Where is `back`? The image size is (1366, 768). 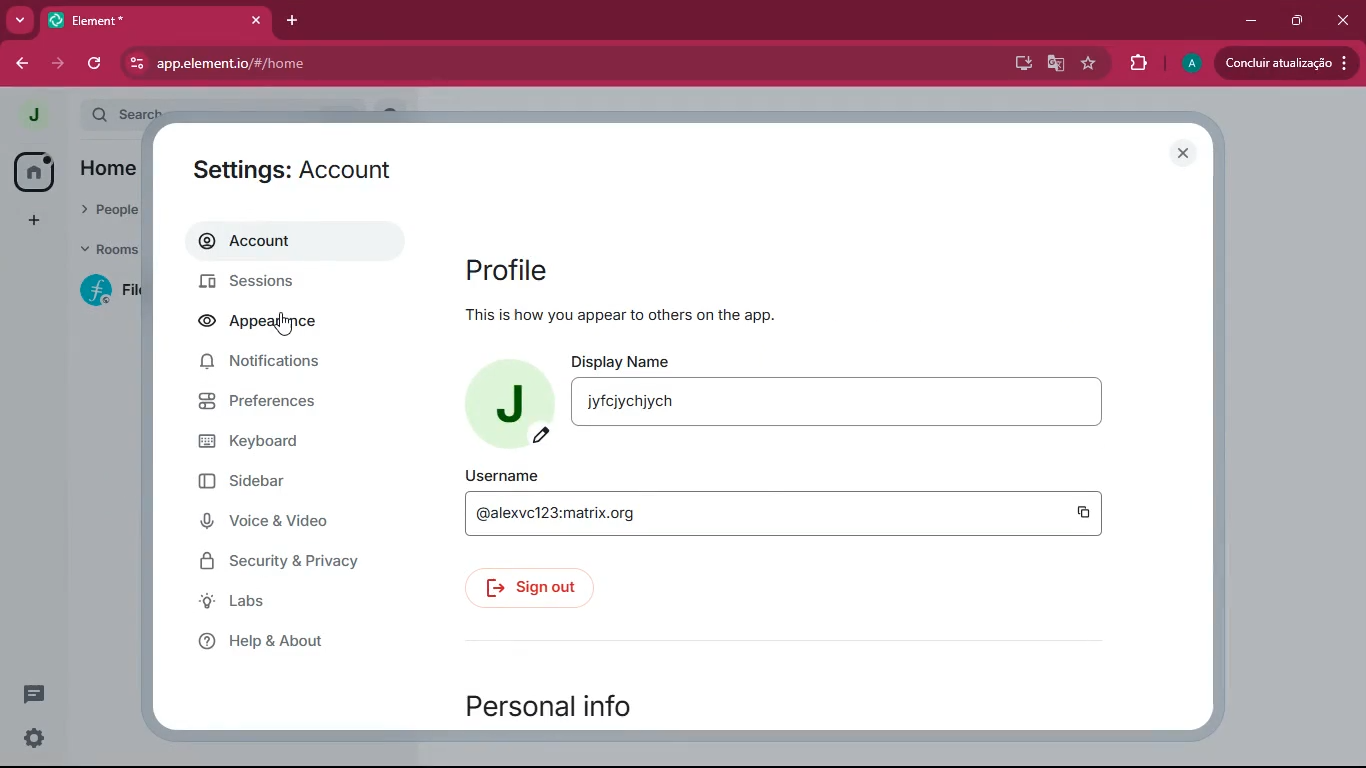 back is located at coordinates (23, 65).